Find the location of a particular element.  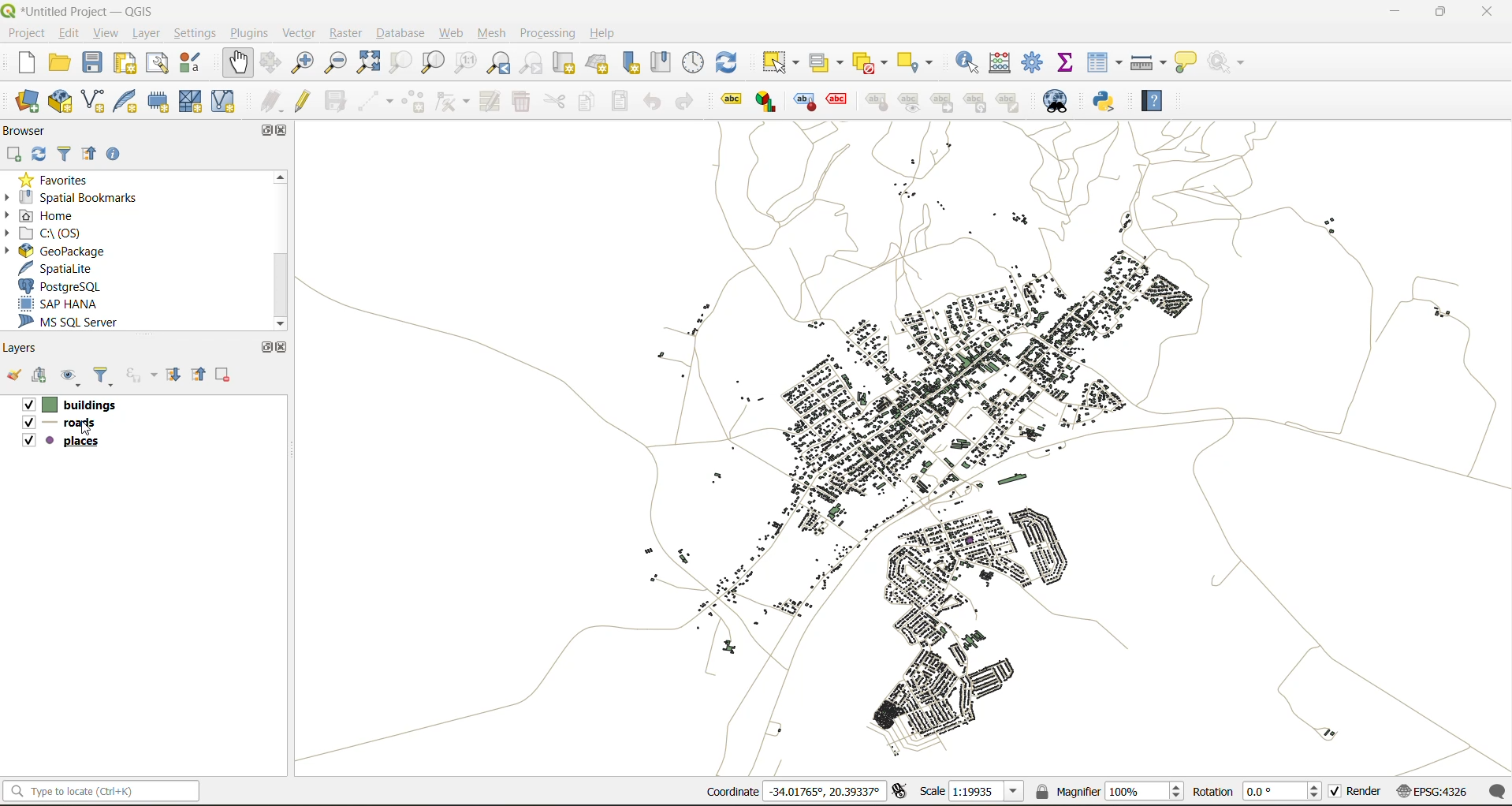

refresh is located at coordinates (40, 155).